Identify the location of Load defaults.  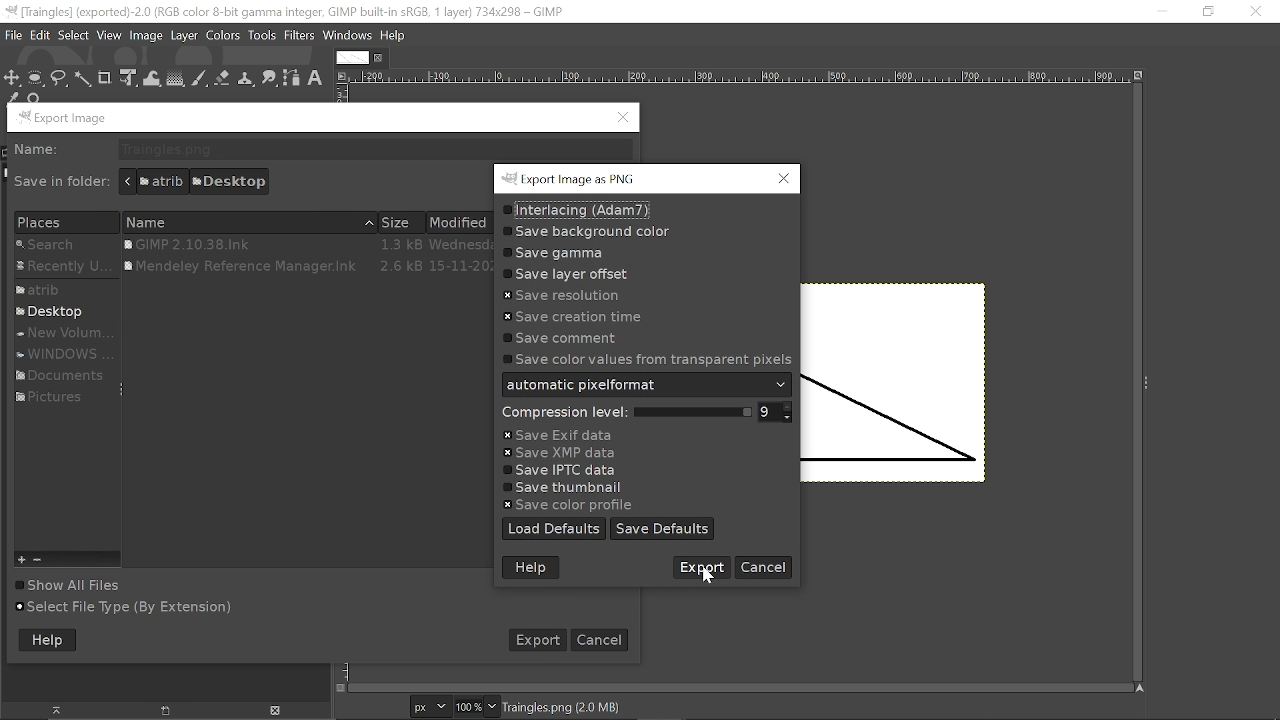
(555, 529).